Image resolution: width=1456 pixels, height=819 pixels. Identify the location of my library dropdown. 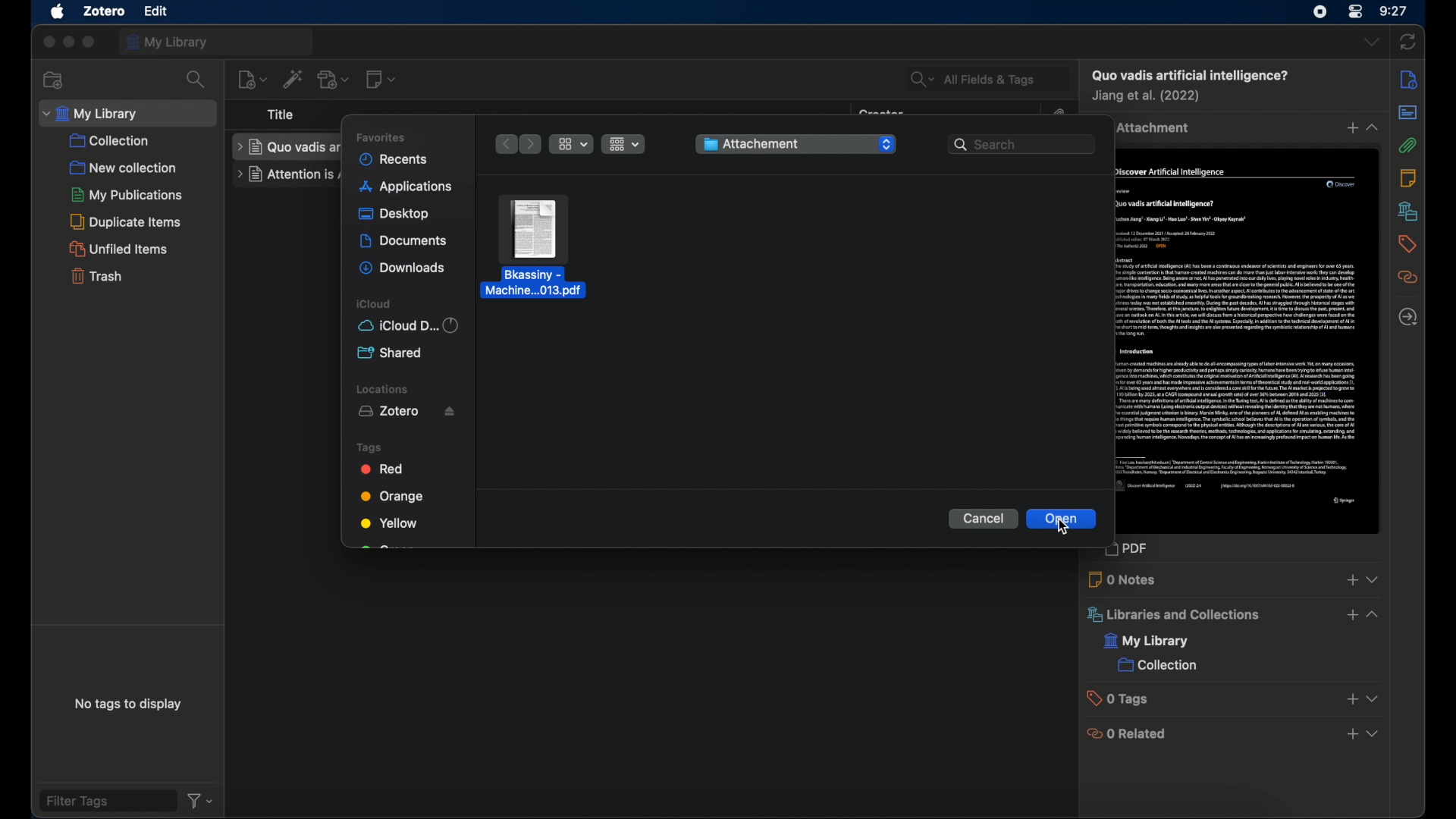
(128, 113).